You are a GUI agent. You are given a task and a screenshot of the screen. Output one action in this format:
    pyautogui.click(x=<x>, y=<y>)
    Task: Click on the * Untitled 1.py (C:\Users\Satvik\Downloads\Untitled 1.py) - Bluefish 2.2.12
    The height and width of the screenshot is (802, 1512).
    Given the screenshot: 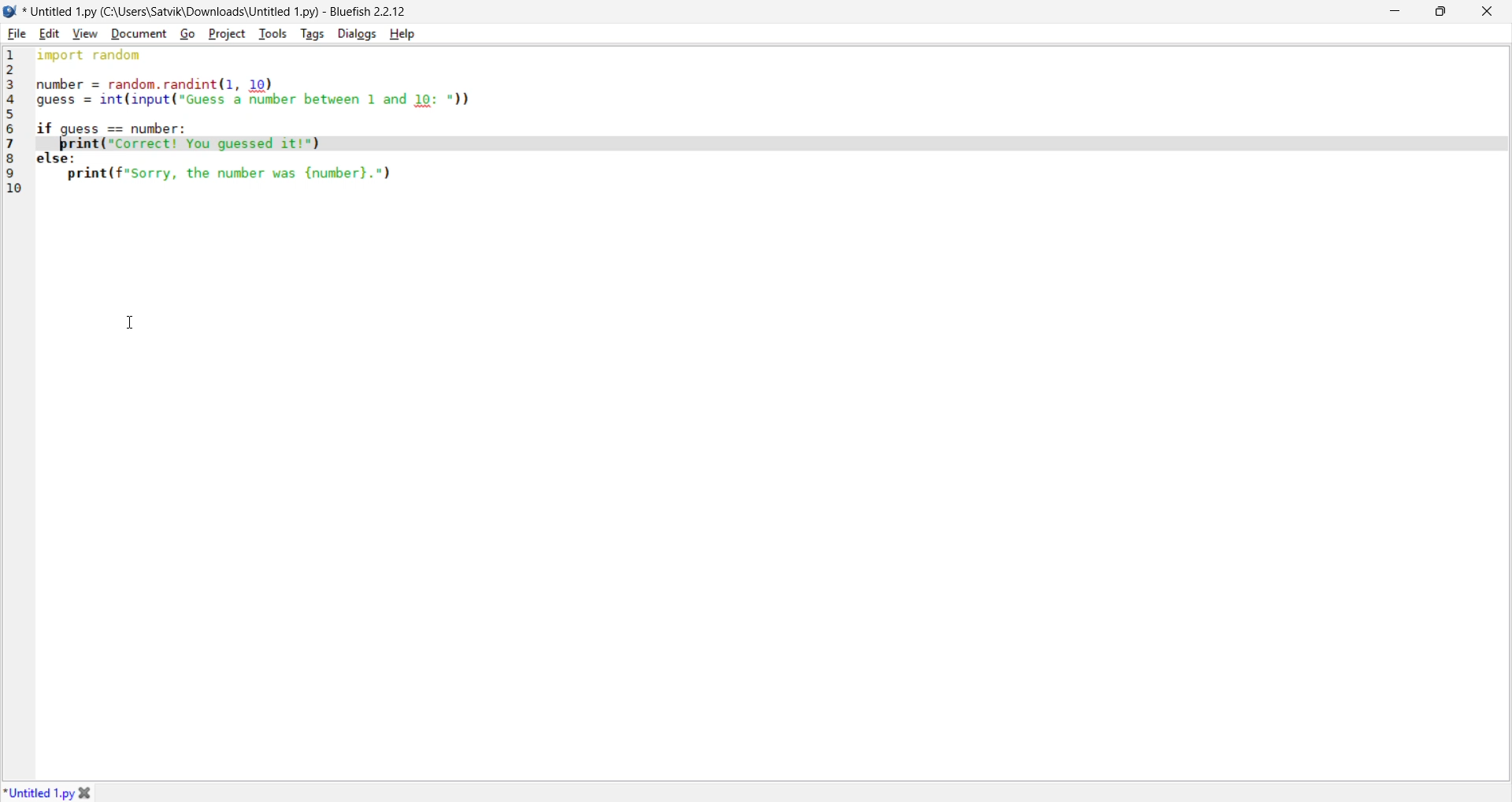 What is the action you would take?
    pyautogui.click(x=217, y=11)
    